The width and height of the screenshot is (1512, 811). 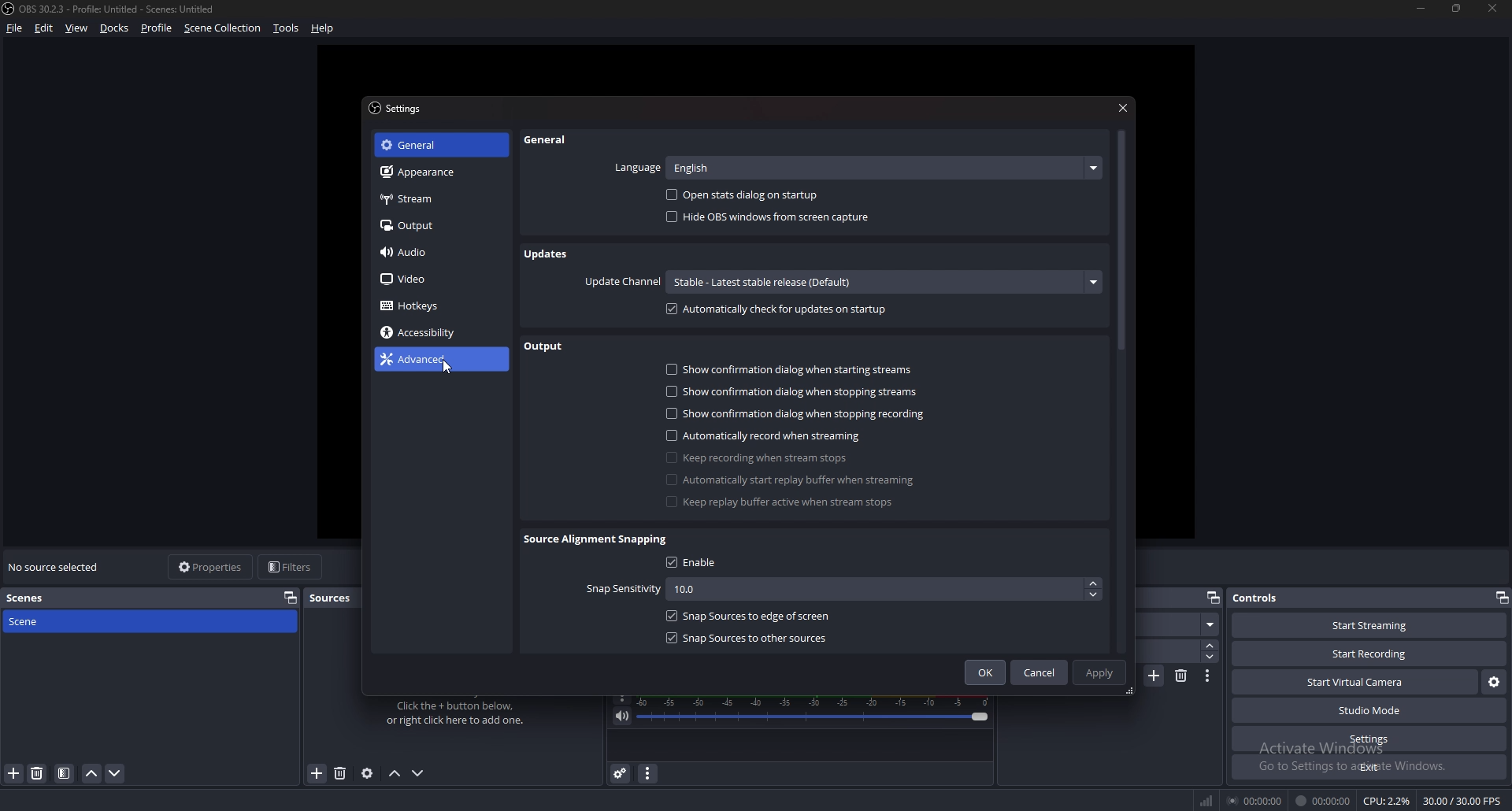 I want to click on move sources up, so click(x=396, y=775).